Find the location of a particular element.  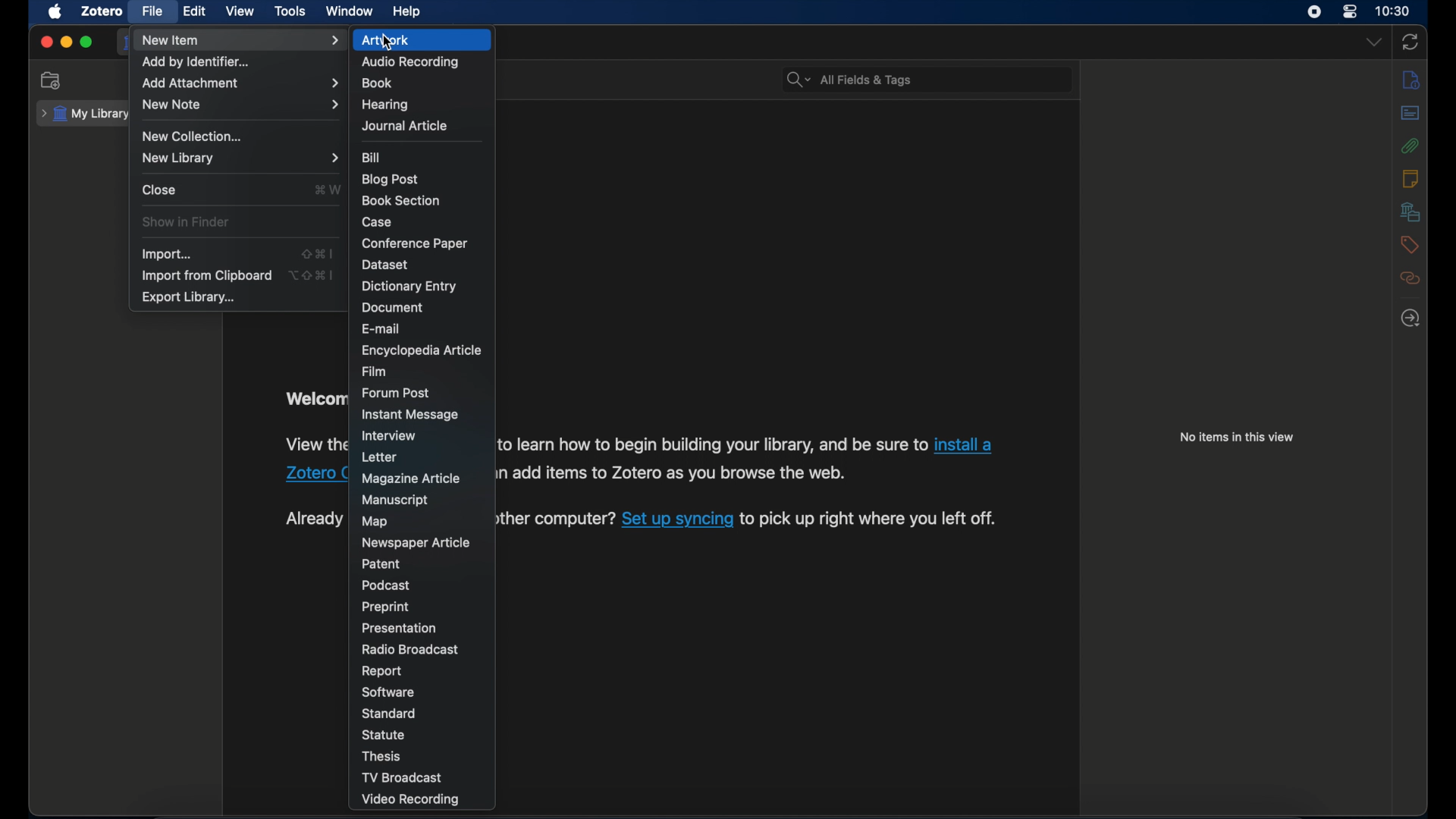

show in finder is located at coordinates (186, 222).